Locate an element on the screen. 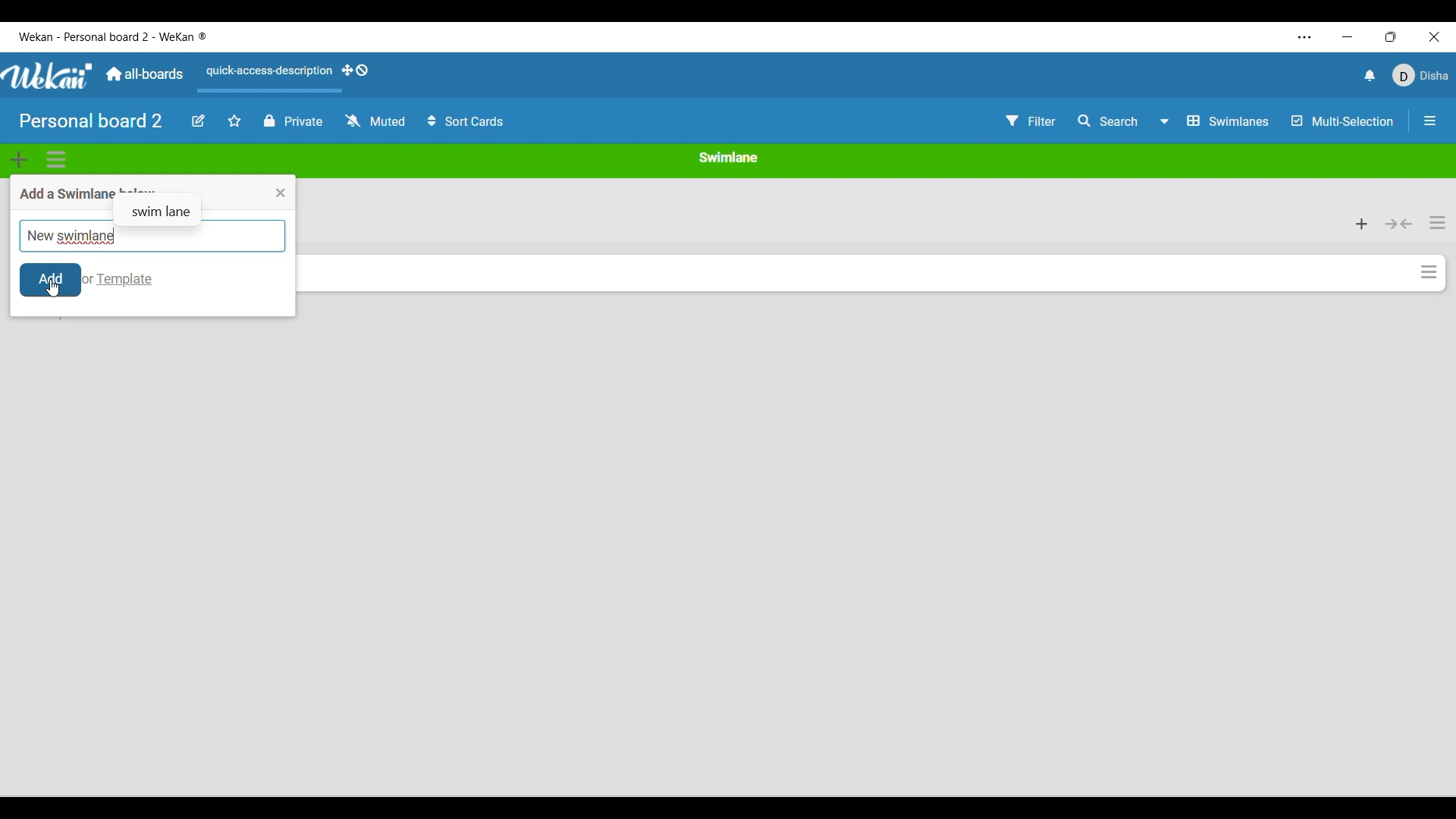 The width and height of the screenshot is (1456, 819). Cursor clicking on add input made is located at coordinates (52, 281).